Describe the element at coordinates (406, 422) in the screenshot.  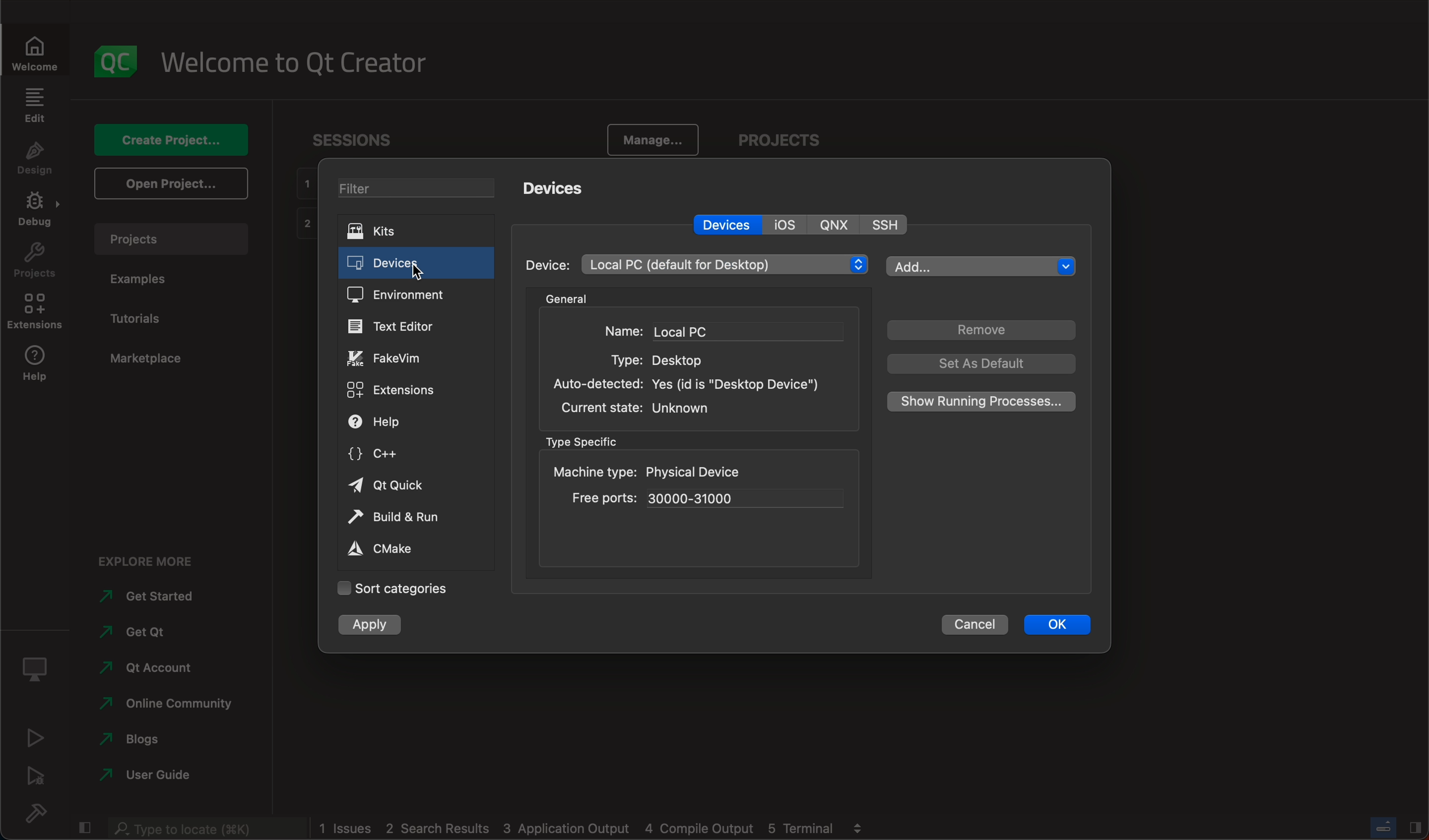
I see `help` at that location.